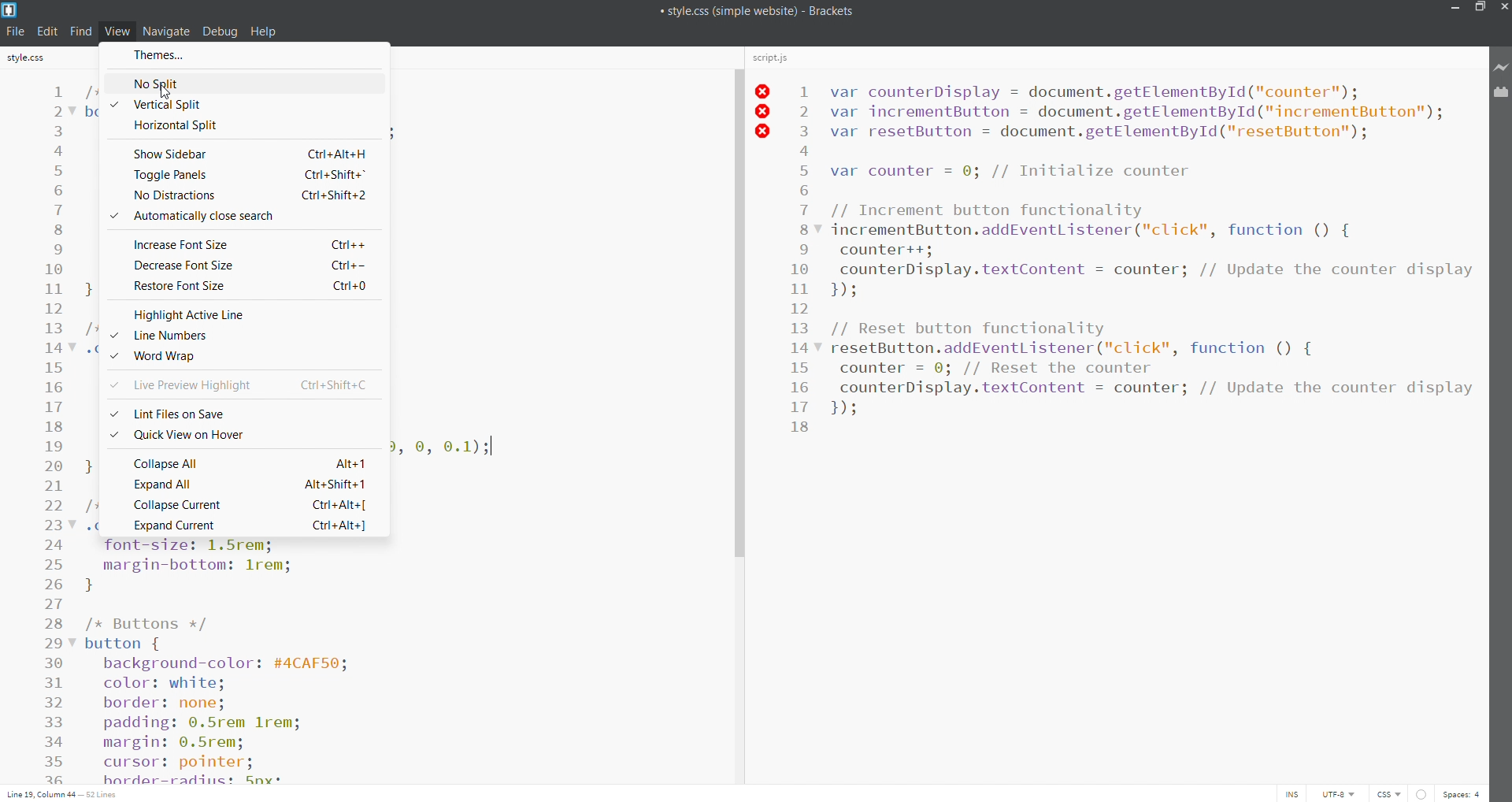 Image resolution: width=1512 pixels, height=802 pixels. Describe the element at coordinates (241, 217) in the screenshot. I see `automatically close search` at that location.